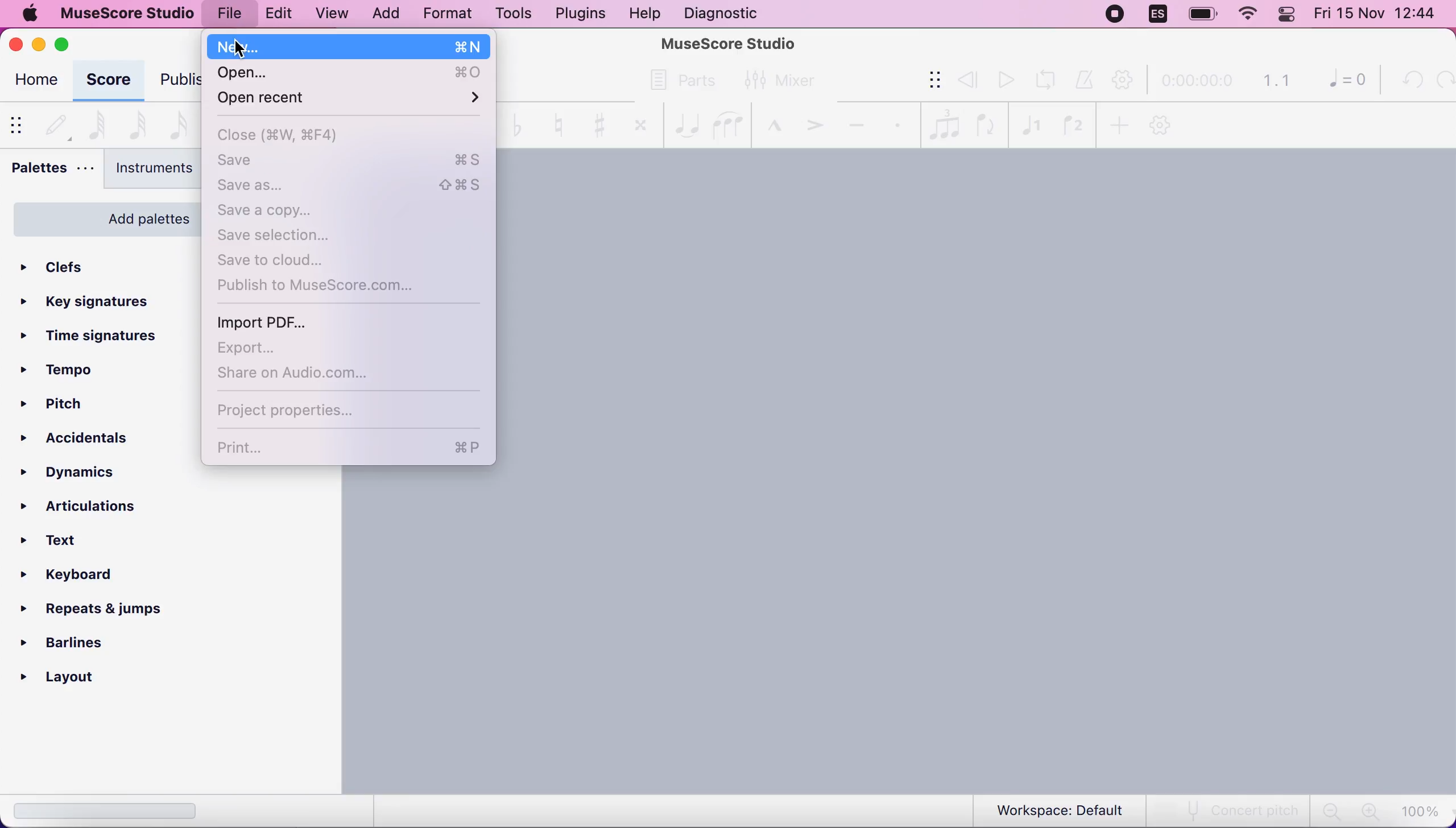 The image size is (1456, 828). What do you see at coordinates (105, 504) in the screenshot?
I see `articulations` at bounding box center [105, 504].